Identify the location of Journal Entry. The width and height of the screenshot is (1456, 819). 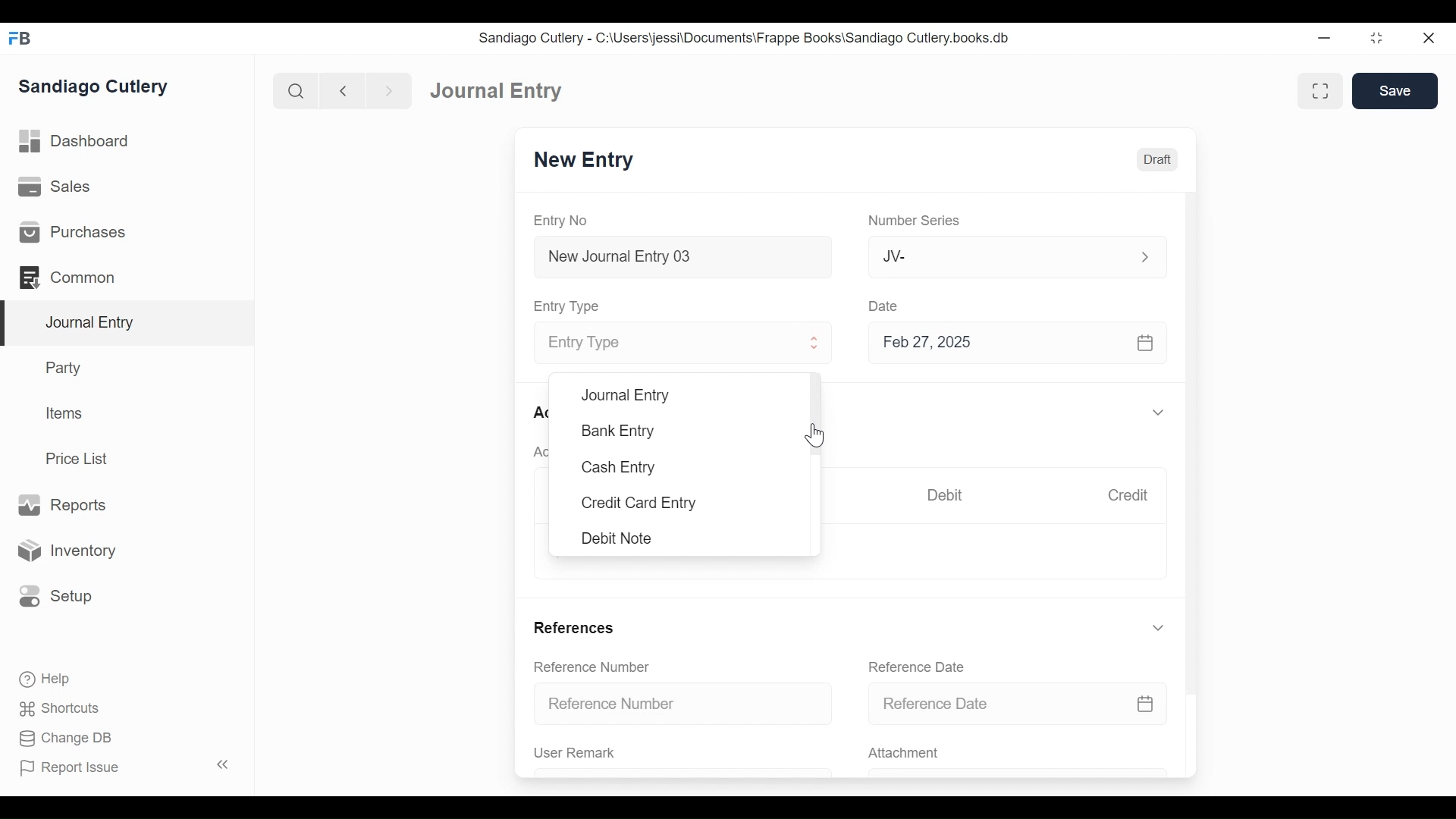
(124, 324).